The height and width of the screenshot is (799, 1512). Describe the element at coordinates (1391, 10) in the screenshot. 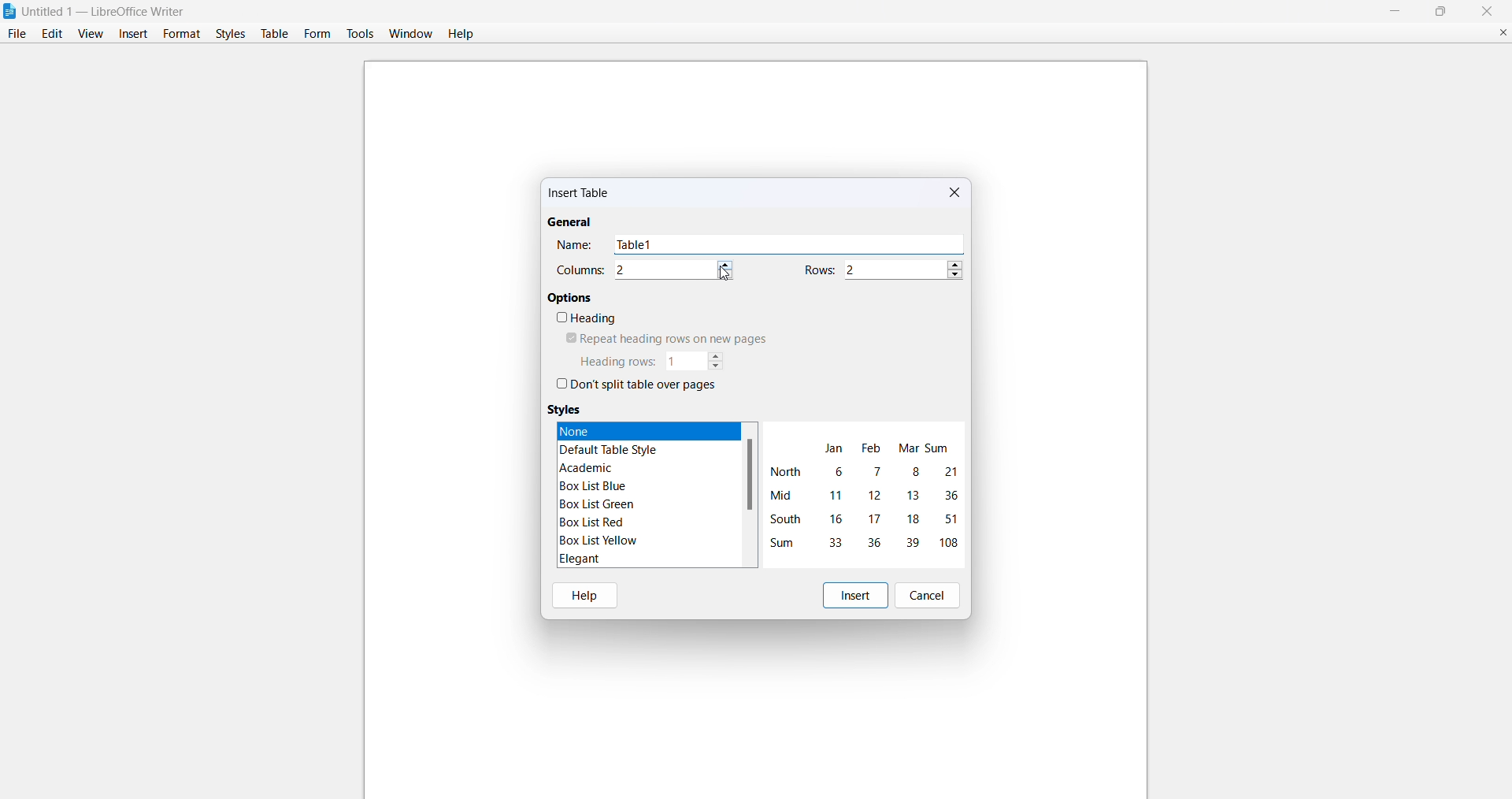

I see `minimize` at that location.